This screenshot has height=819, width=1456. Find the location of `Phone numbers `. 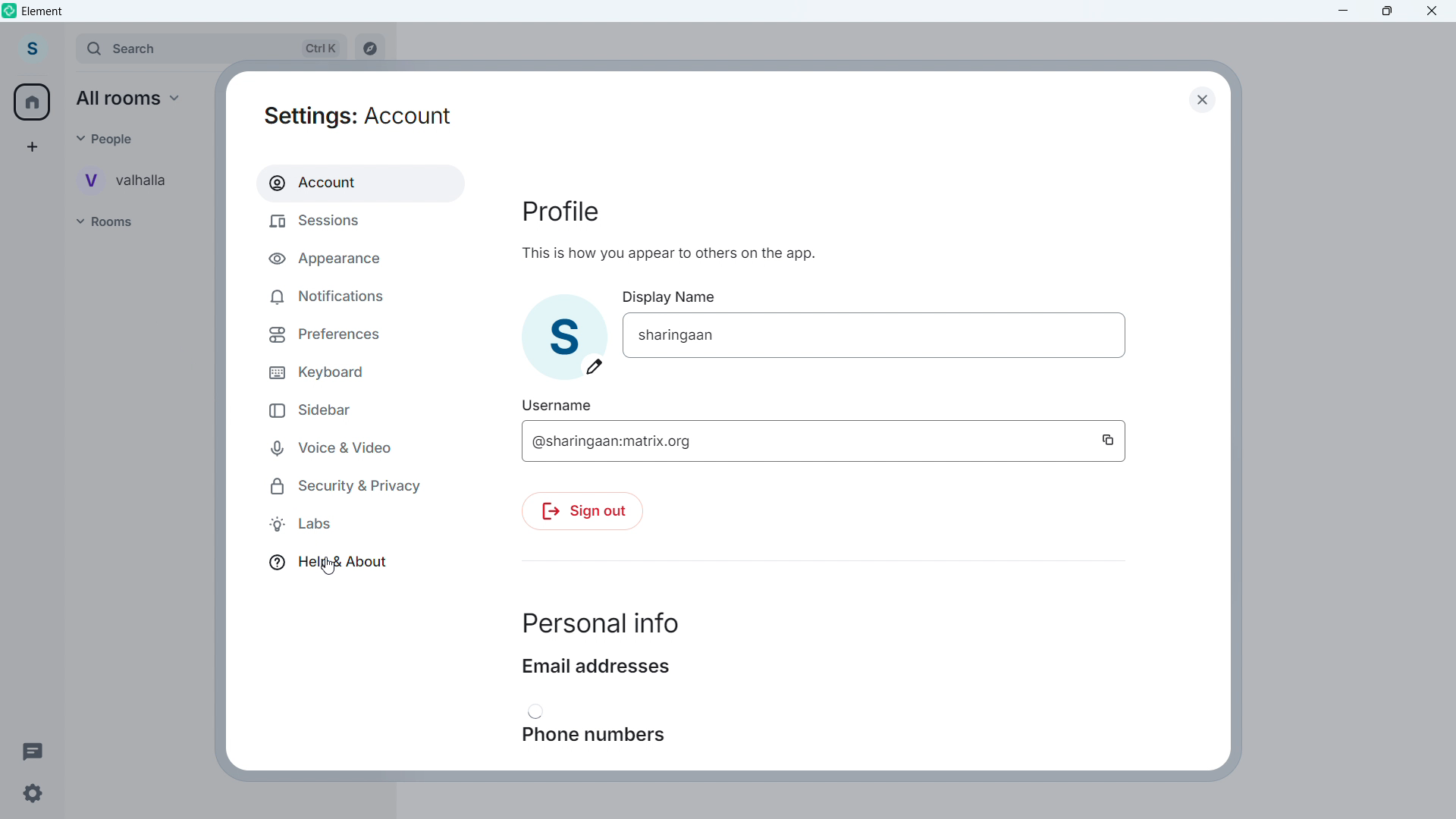

Phone numbers  is located at coordinates (591, 734).